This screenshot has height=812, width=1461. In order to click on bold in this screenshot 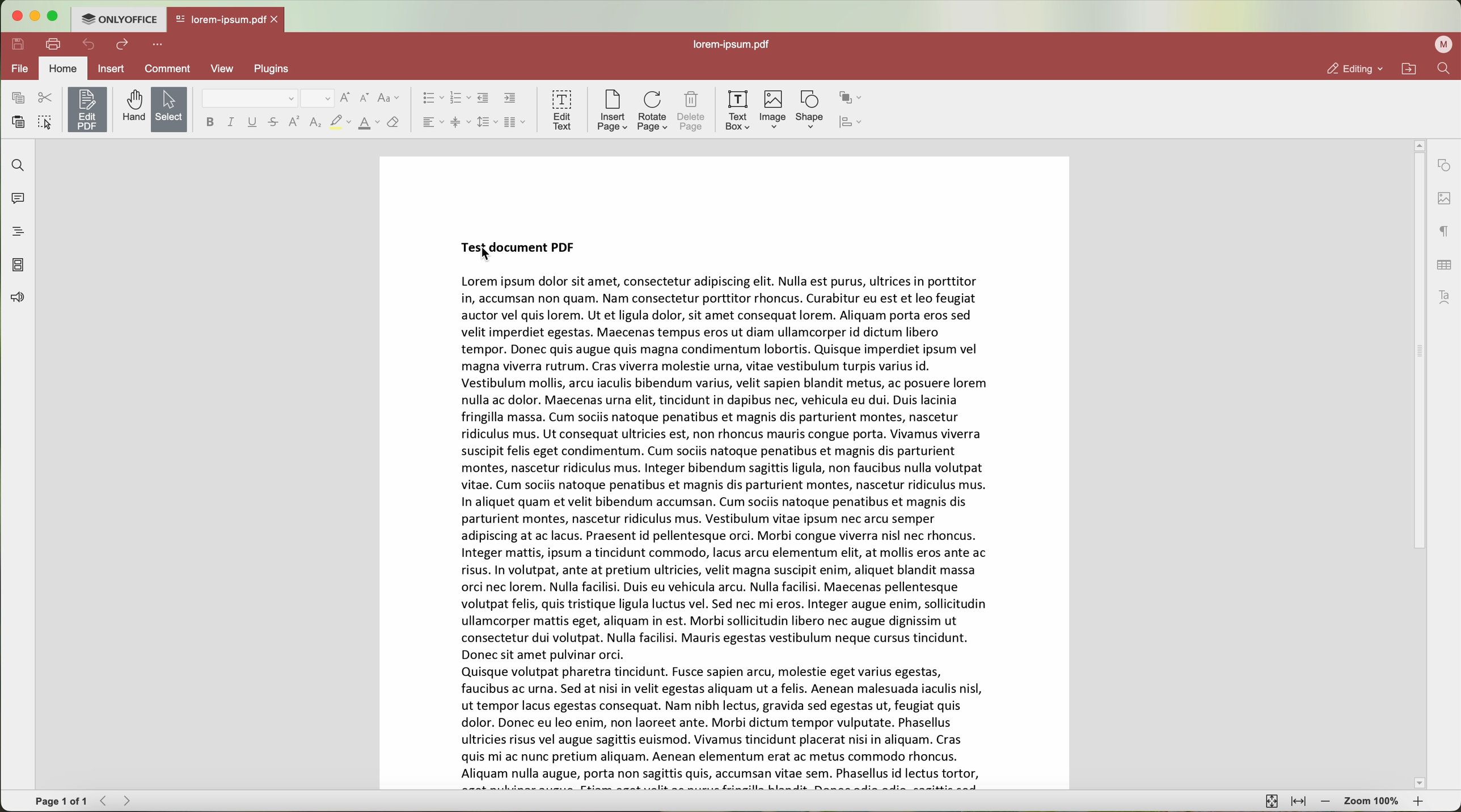, I will do `click(210, 122)`.